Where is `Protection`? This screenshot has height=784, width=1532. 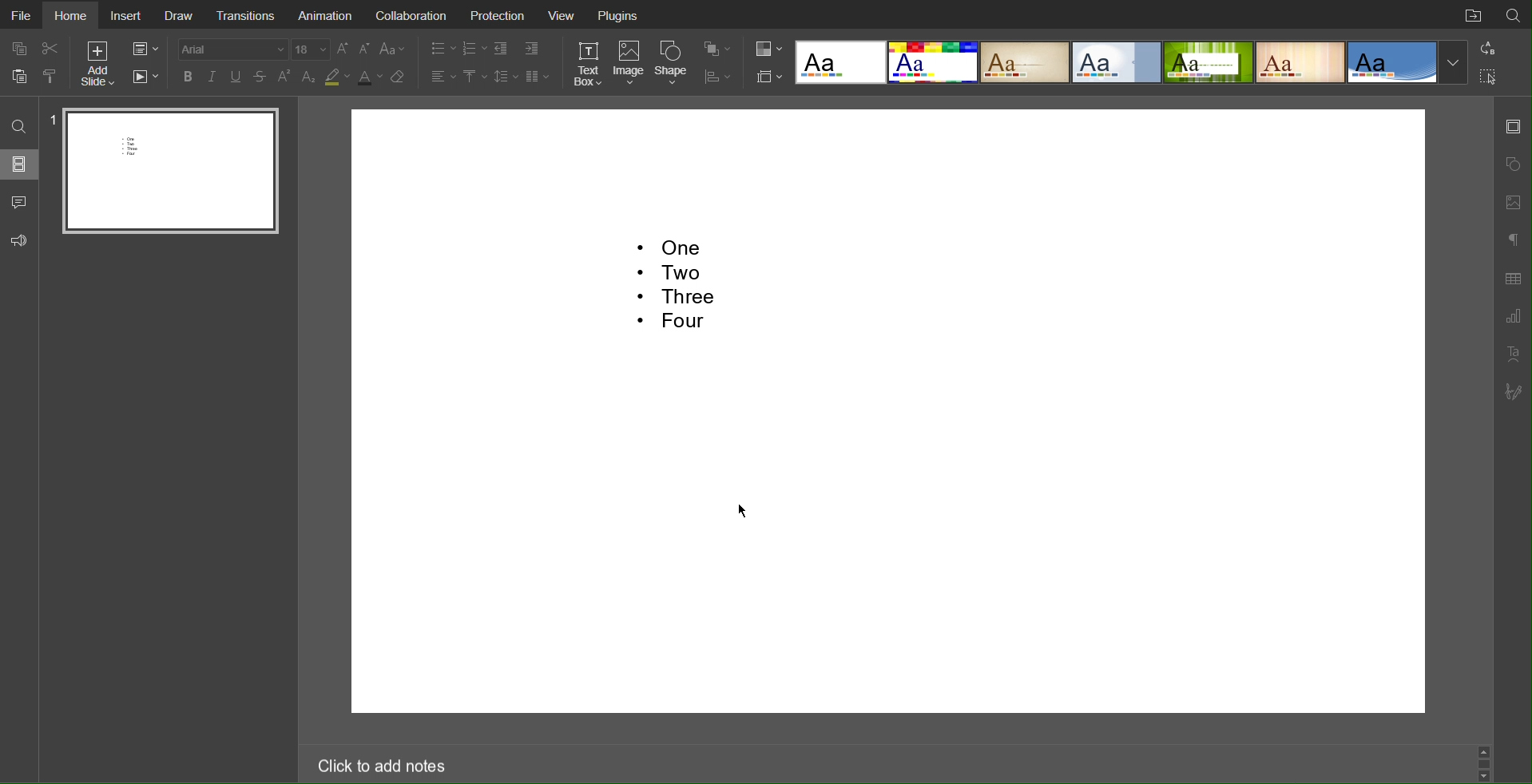
Protection is located at coordinates (495, 14).